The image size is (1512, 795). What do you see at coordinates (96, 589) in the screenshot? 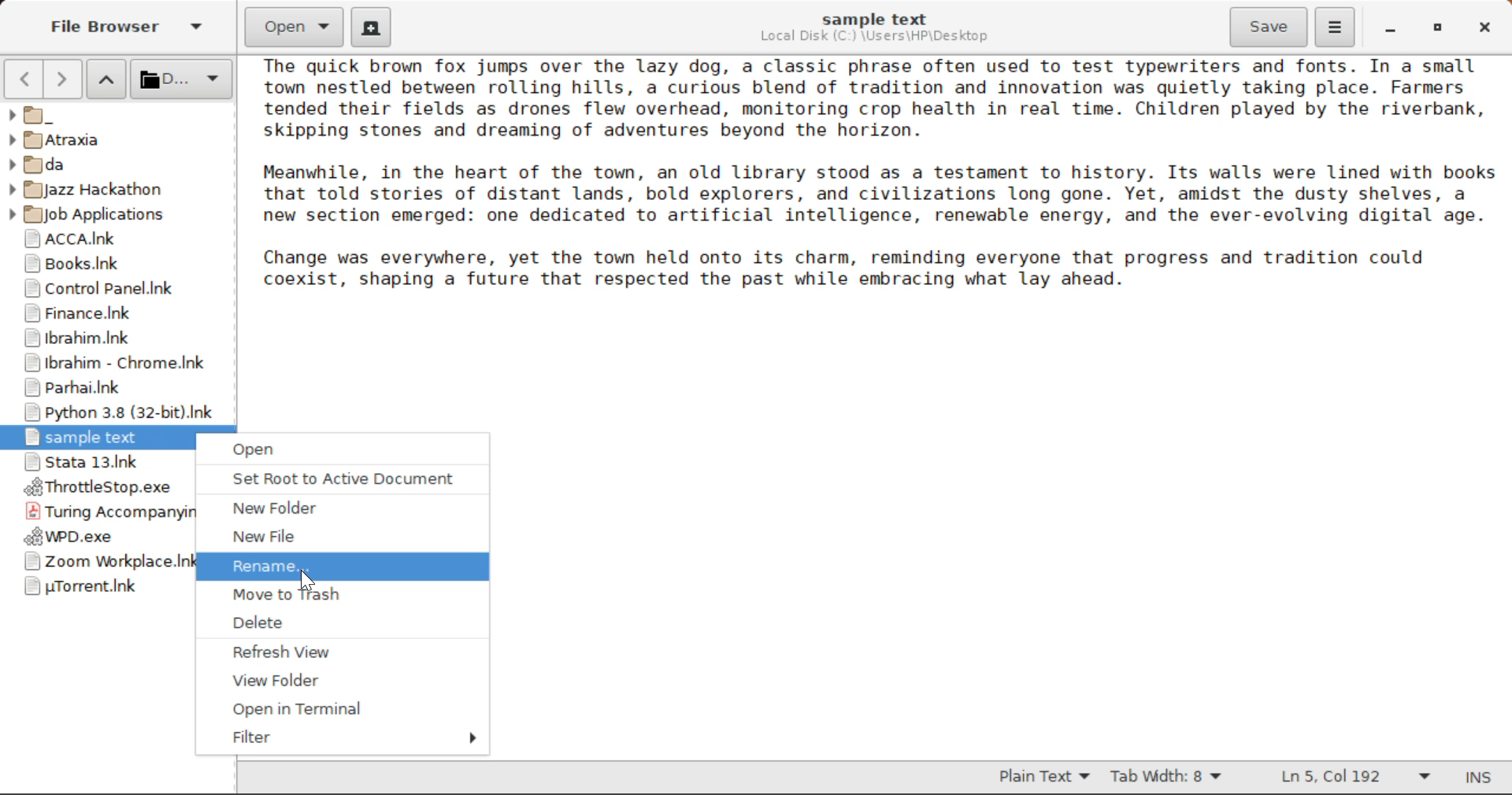
I see `uTorrent Application` at bounding box center [96, 589].